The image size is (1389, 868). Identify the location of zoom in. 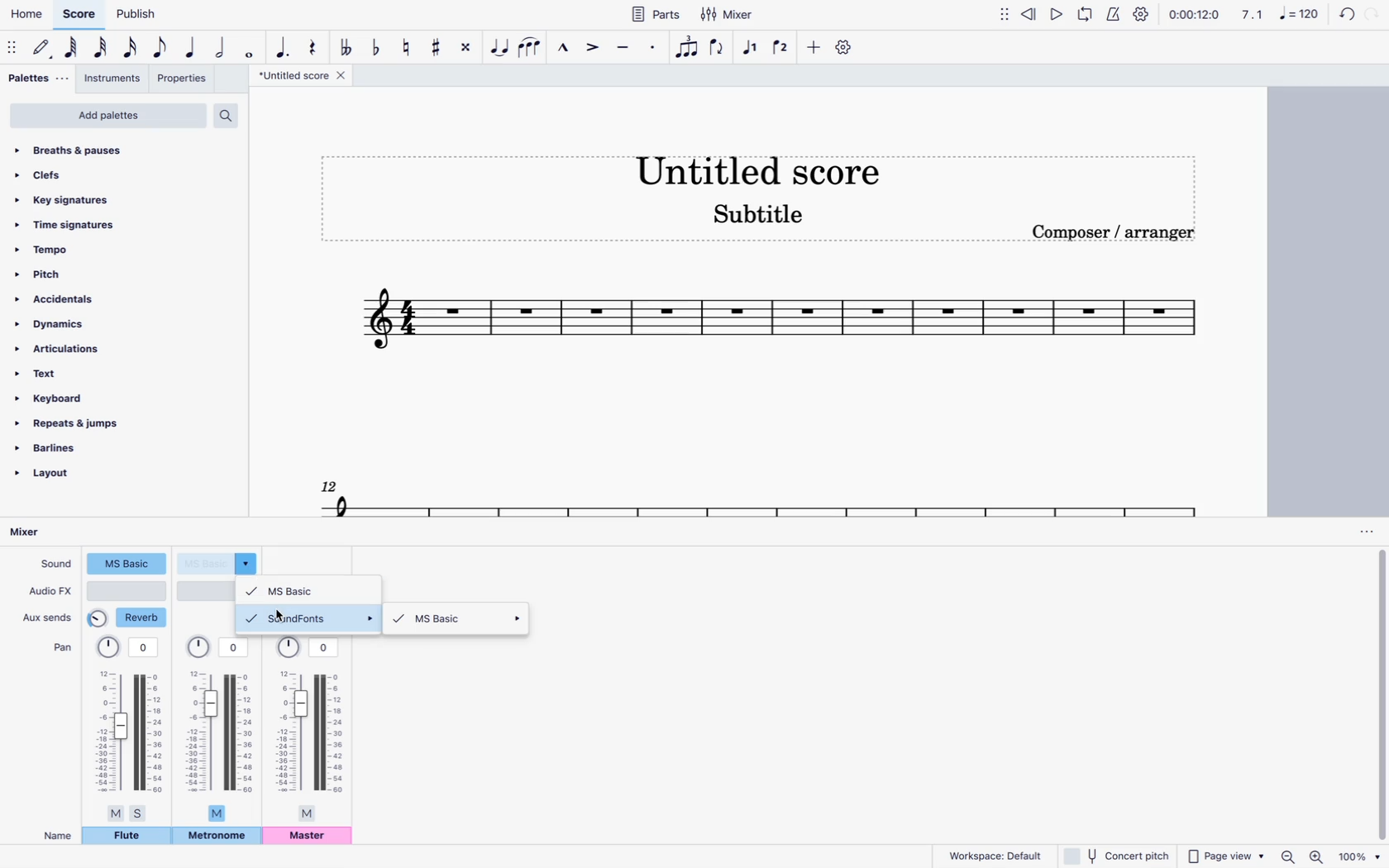
(1316, 856).